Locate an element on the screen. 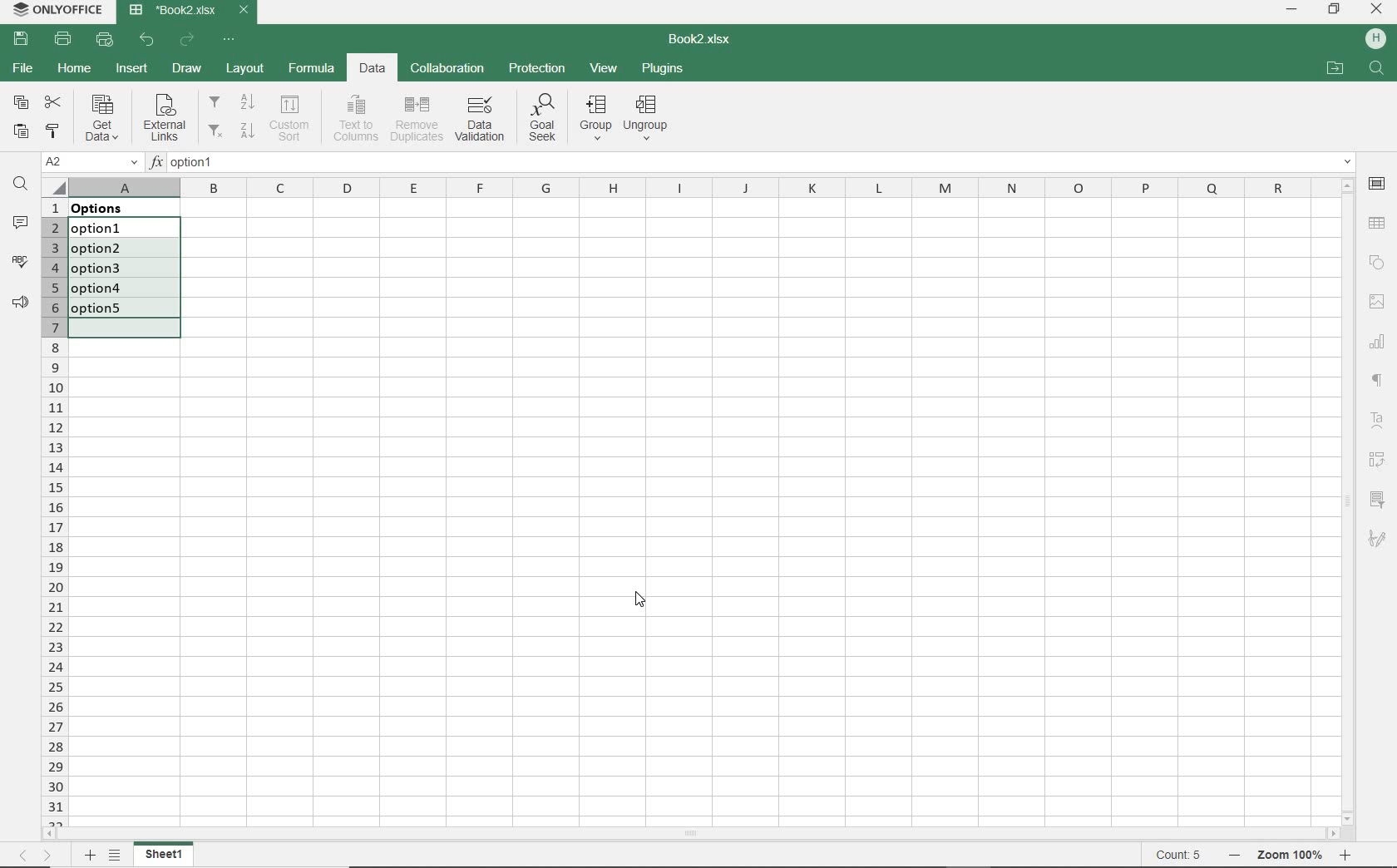  INSERT FUNCTION is located at coordinates (752, 165).